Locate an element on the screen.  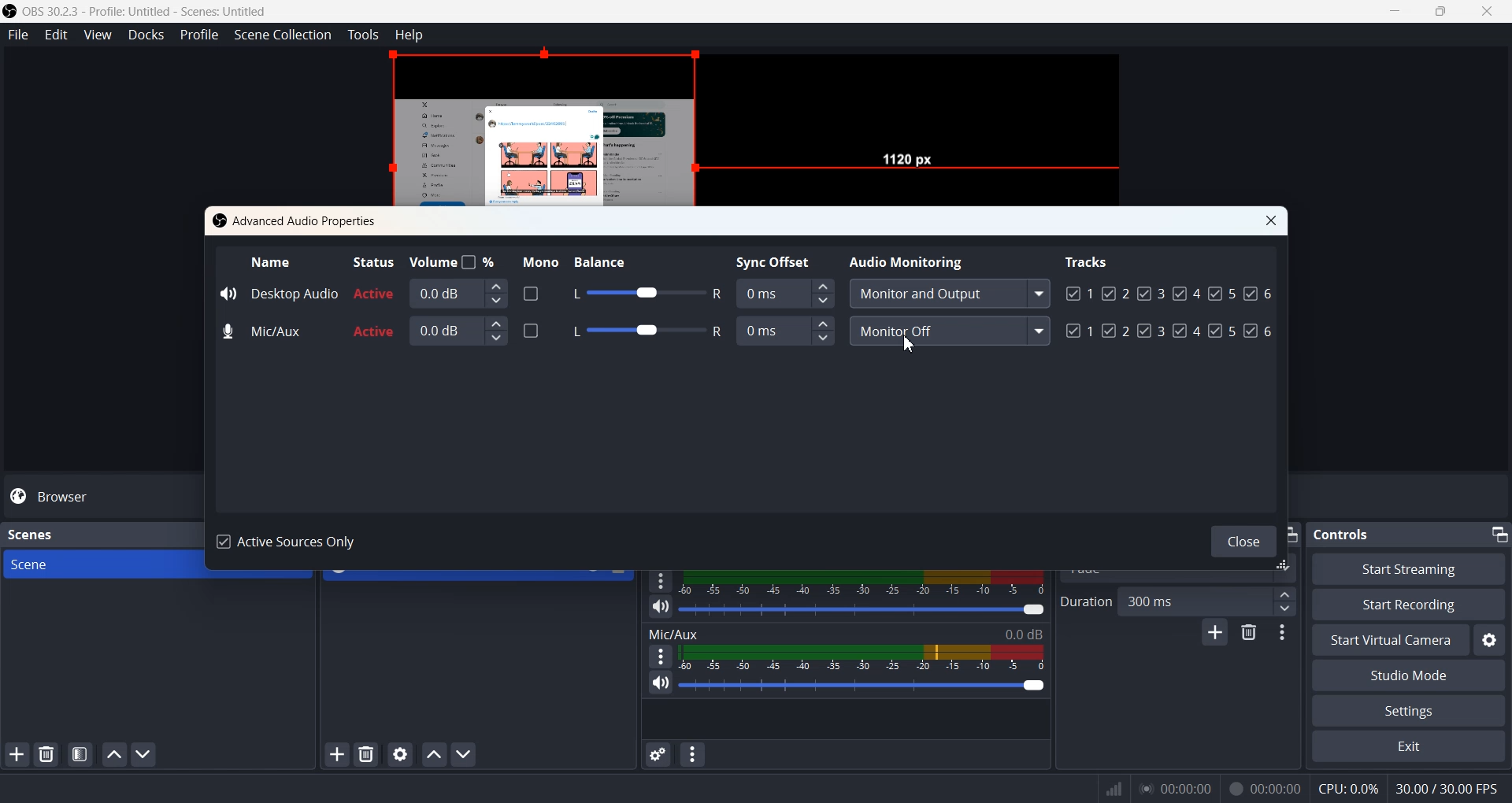
Help is located at coordinates (409, 34).